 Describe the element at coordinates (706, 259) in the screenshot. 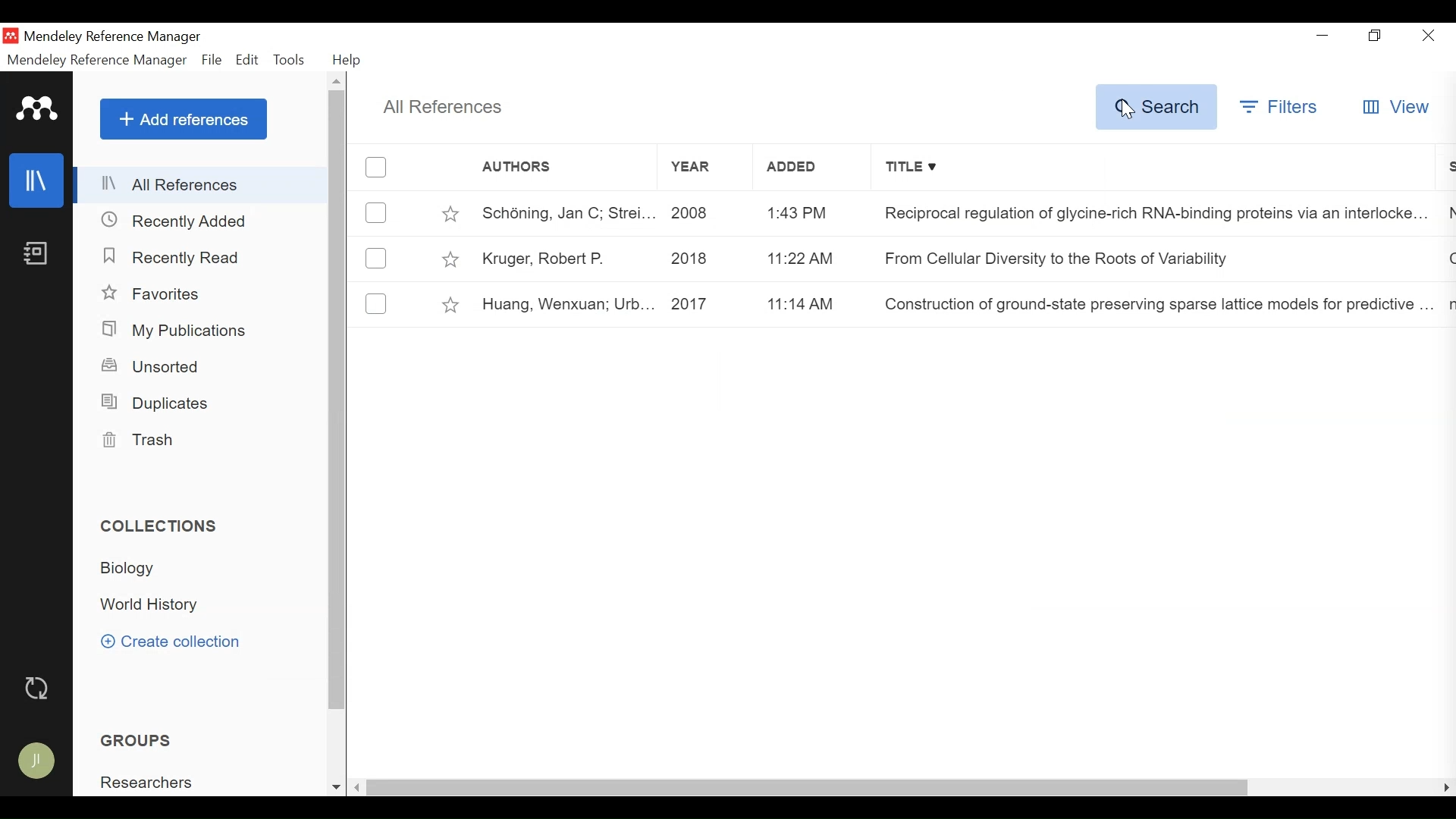

I see `2018` at that location.